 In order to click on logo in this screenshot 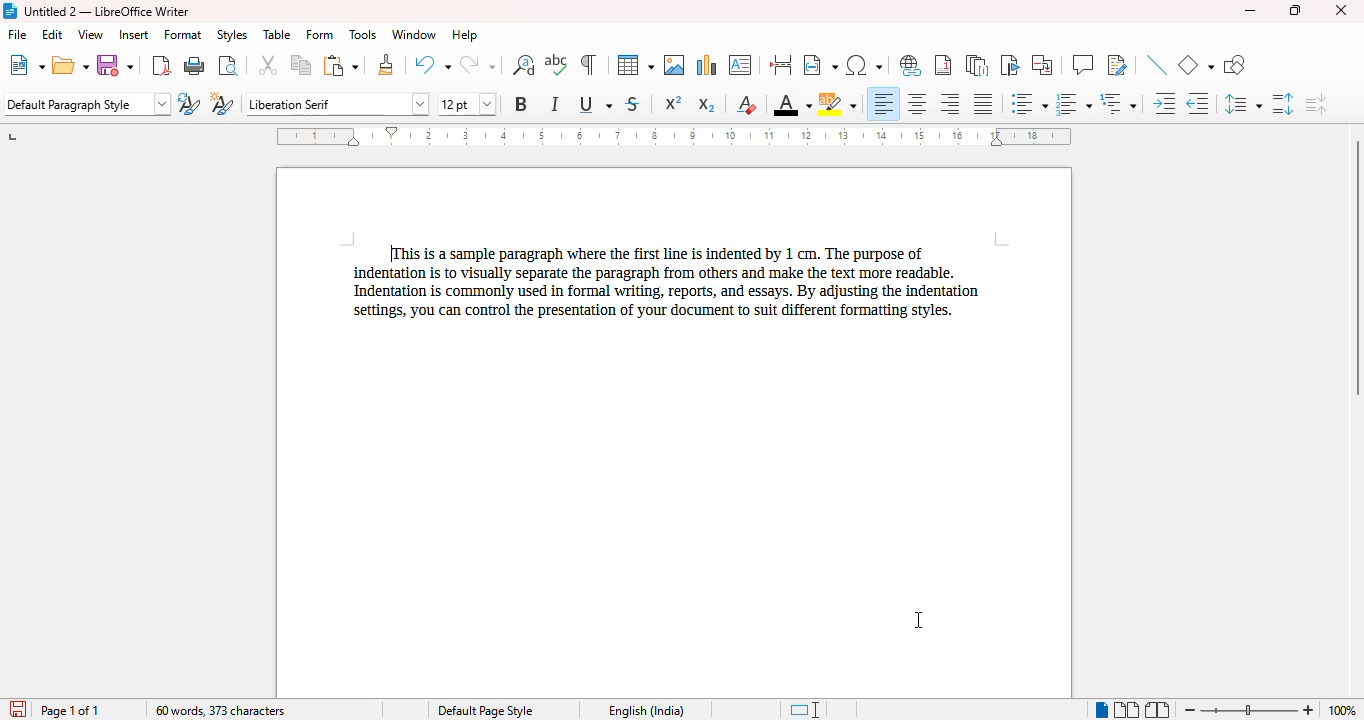, I will do `click(9, 11)`.